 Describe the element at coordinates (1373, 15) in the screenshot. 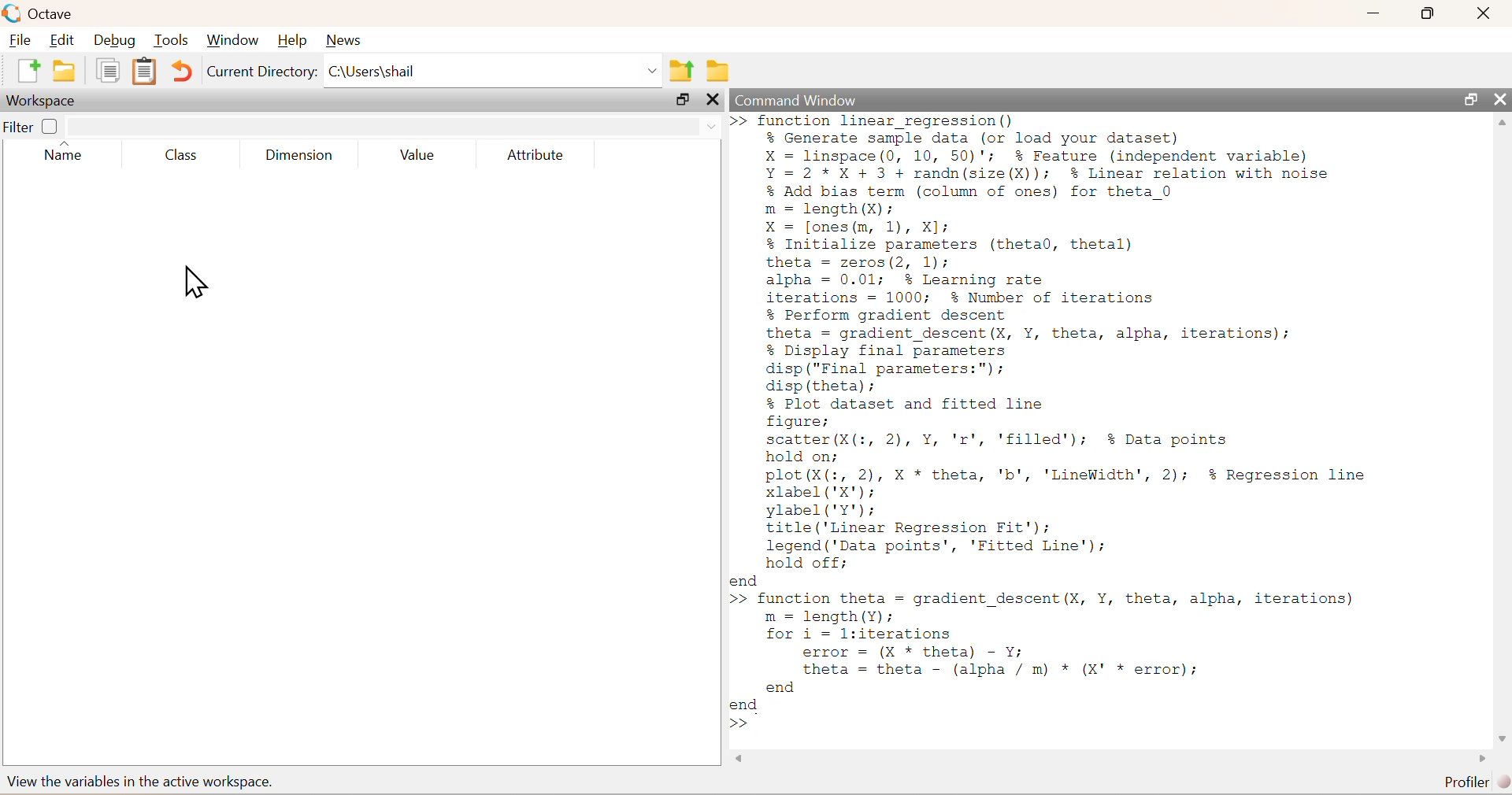

I see `minimize` at that location.